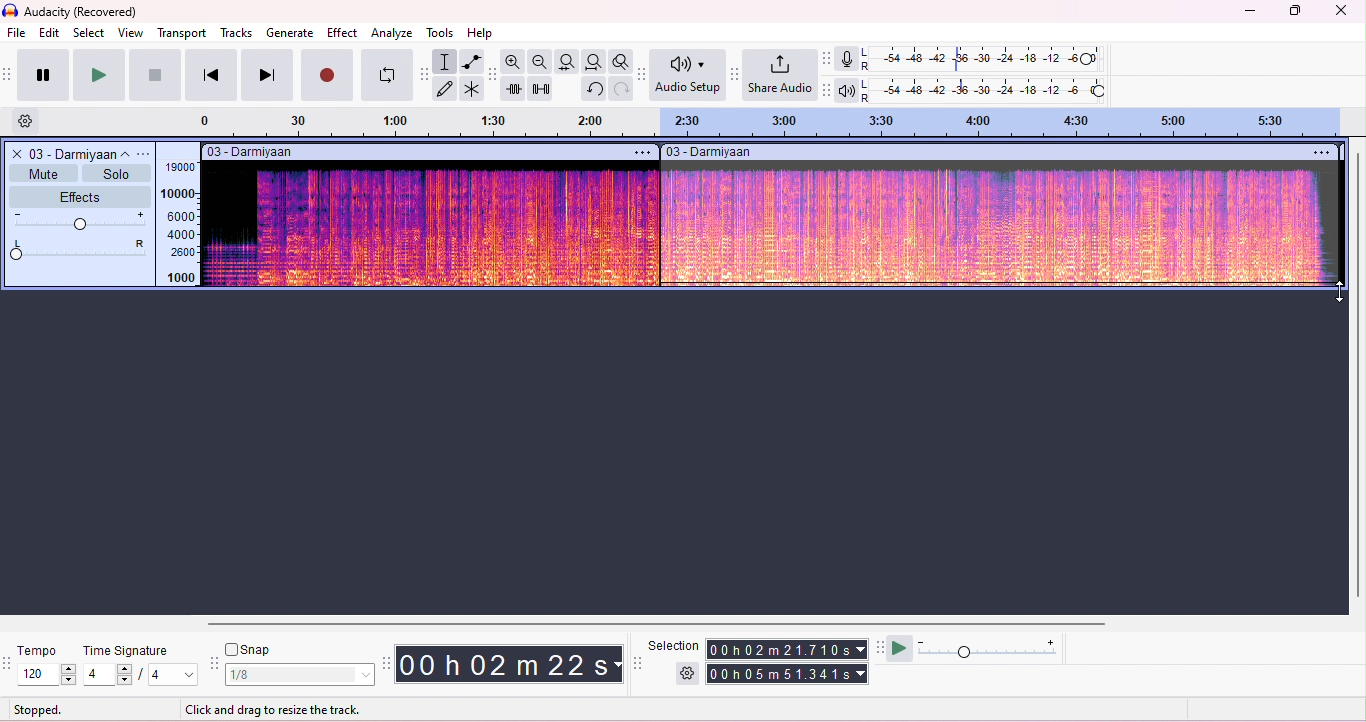  I want to click on time, so click(508, 663).